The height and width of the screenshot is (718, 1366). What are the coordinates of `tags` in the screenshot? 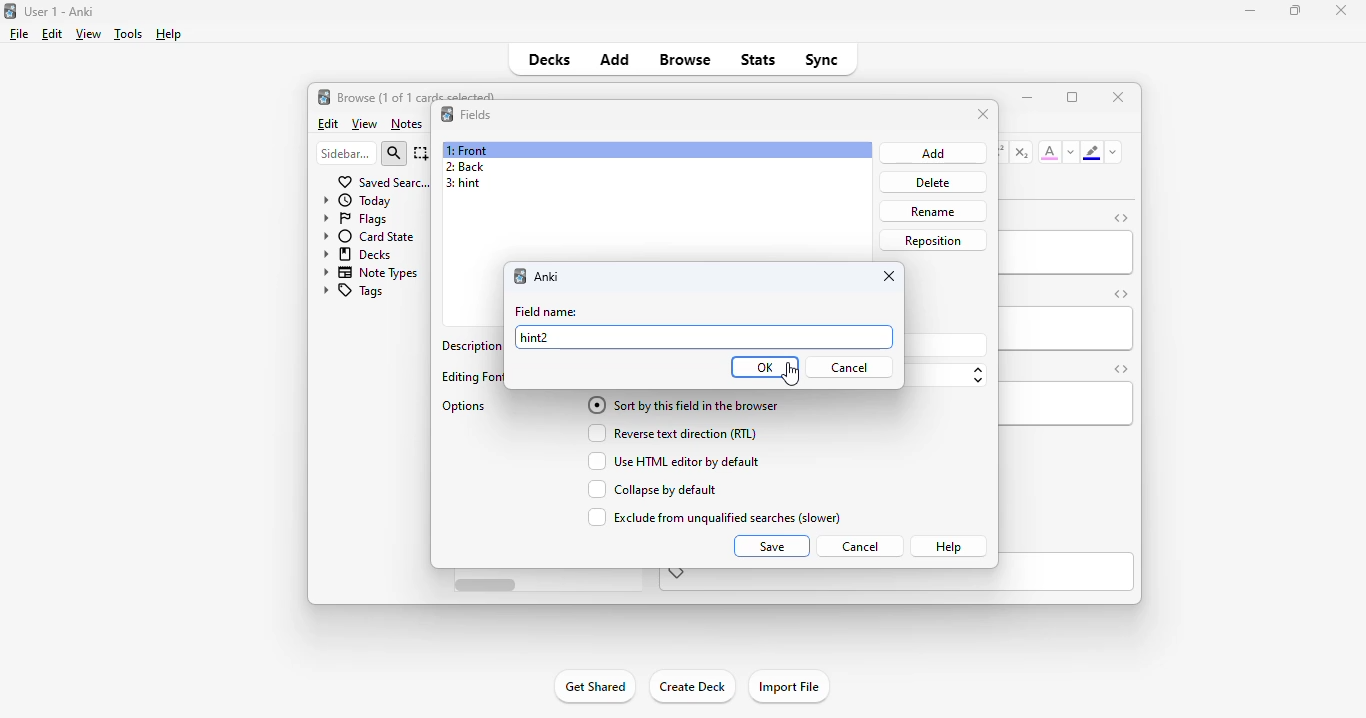 It's located at (352, 292).